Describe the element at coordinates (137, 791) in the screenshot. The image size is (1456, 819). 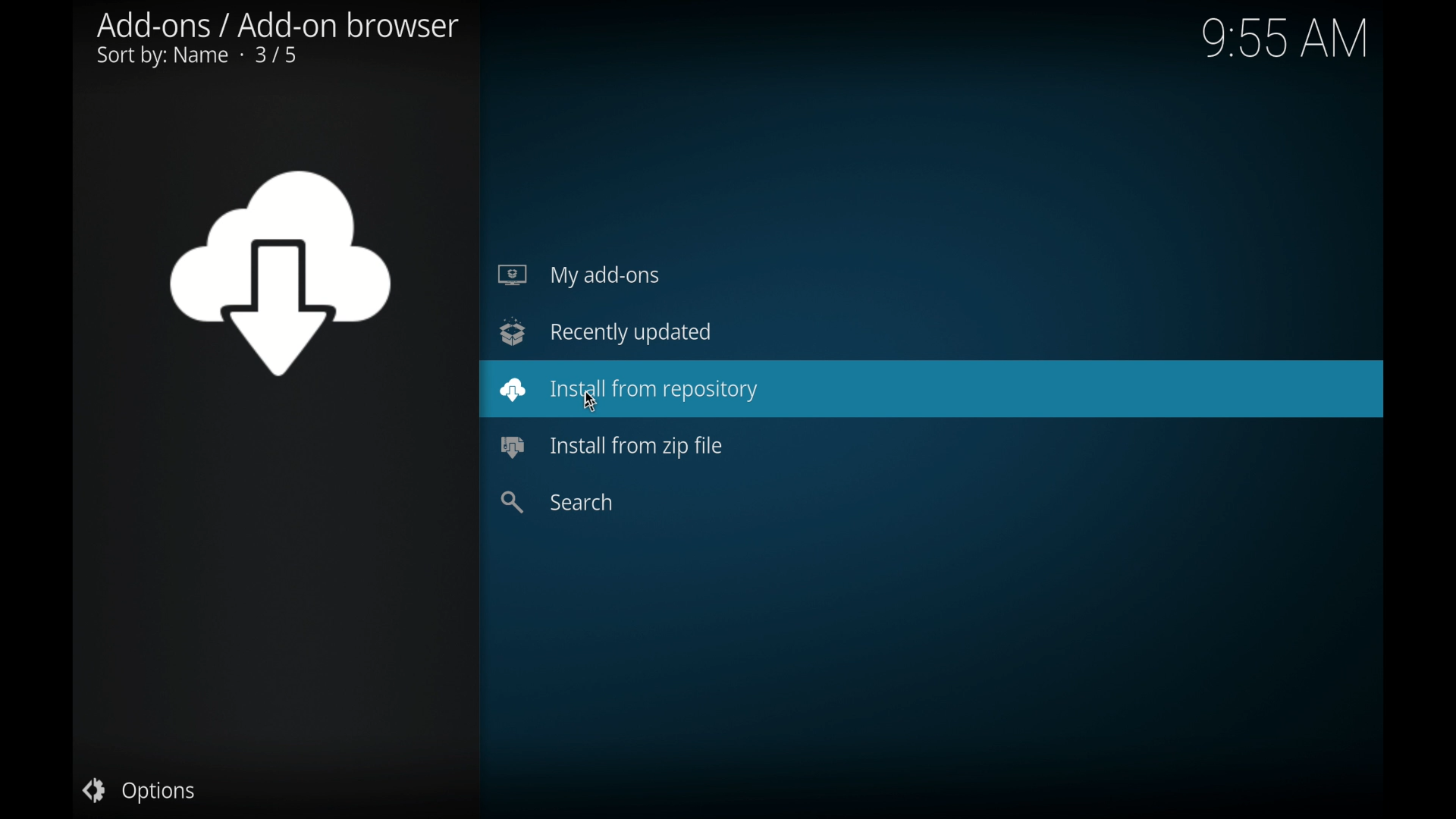
I see `options` at that location.